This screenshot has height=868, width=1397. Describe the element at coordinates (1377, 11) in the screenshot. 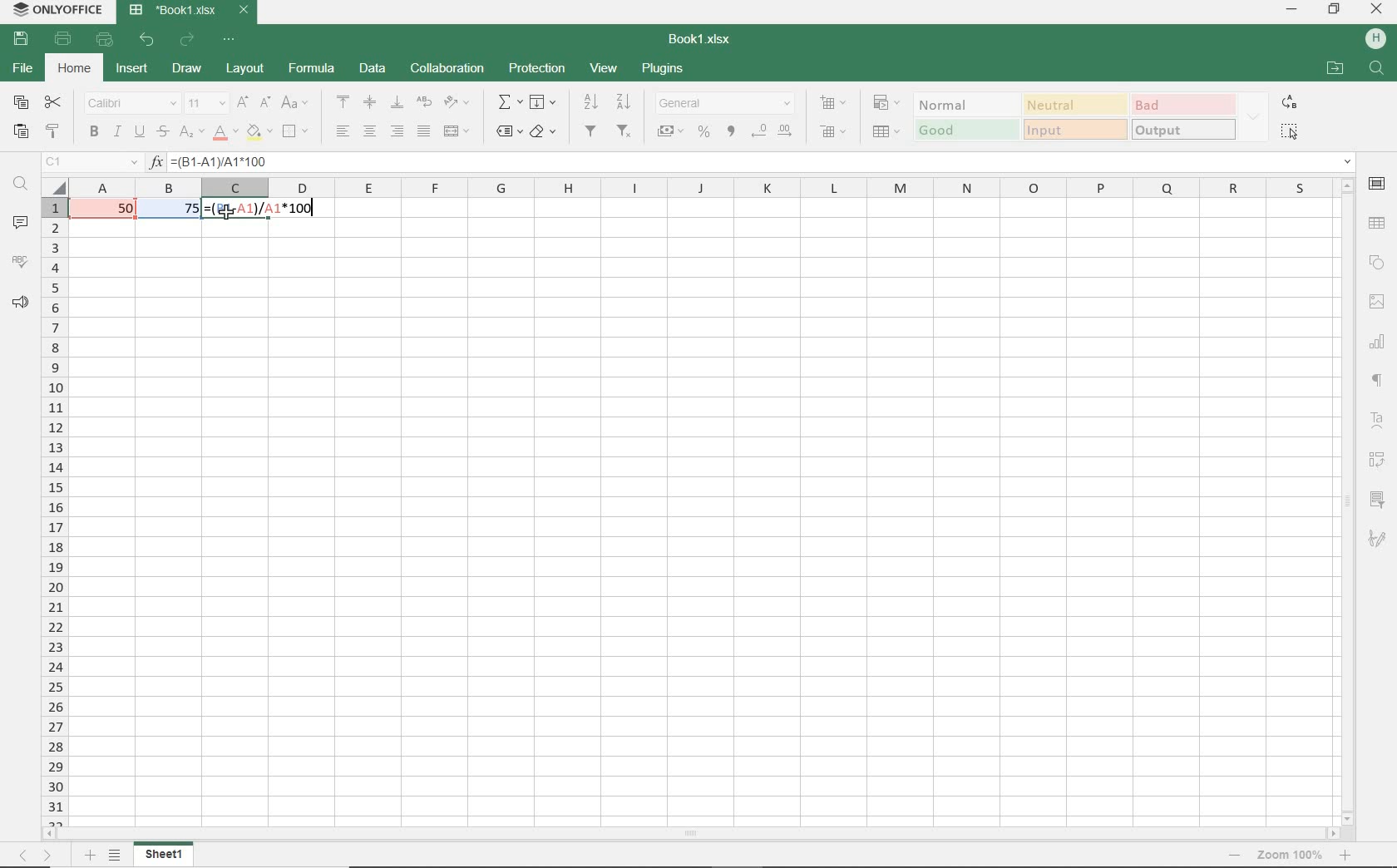

I see `close` at that location.